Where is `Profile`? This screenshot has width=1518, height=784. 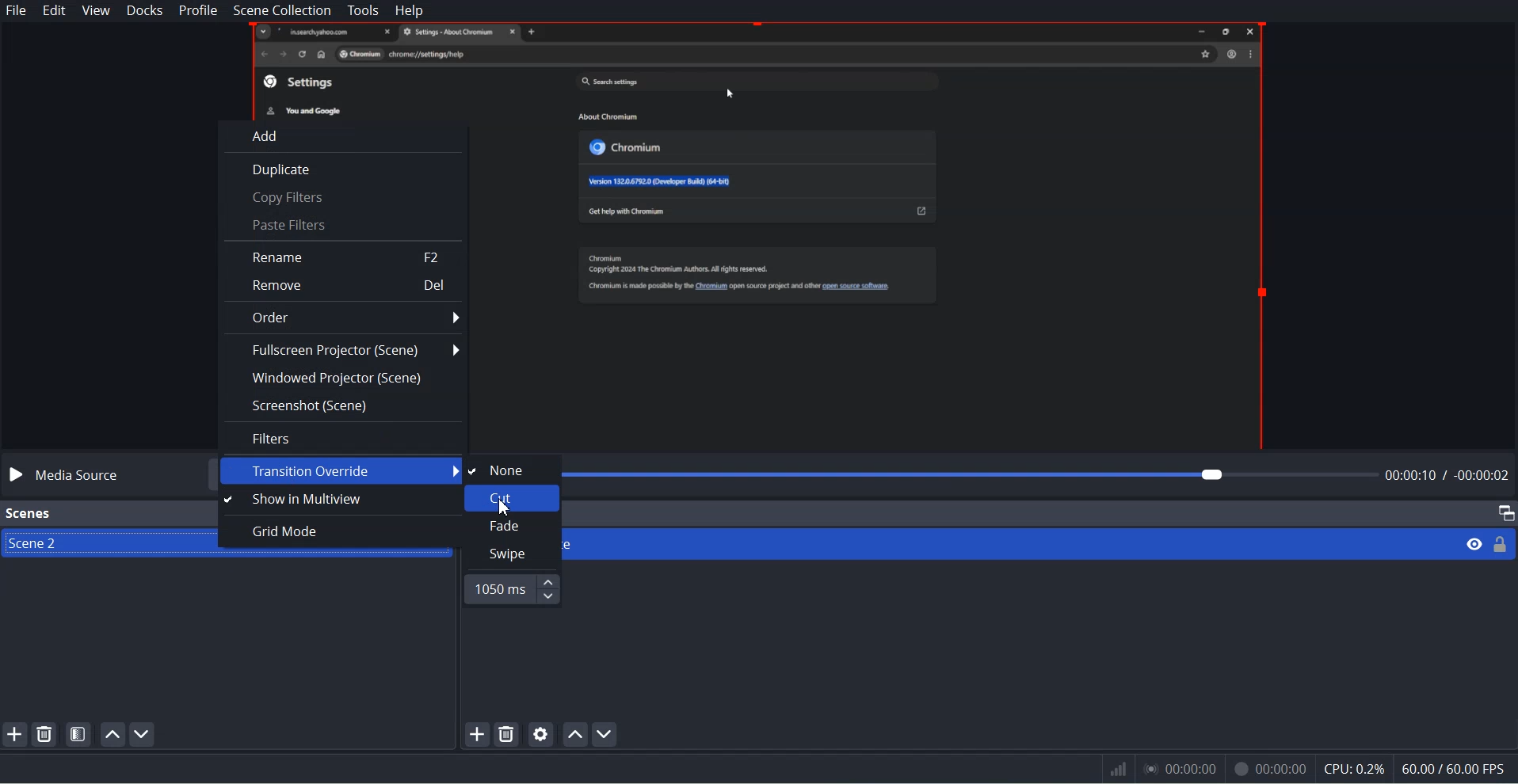 Profile is located at coordinates (198, 11).